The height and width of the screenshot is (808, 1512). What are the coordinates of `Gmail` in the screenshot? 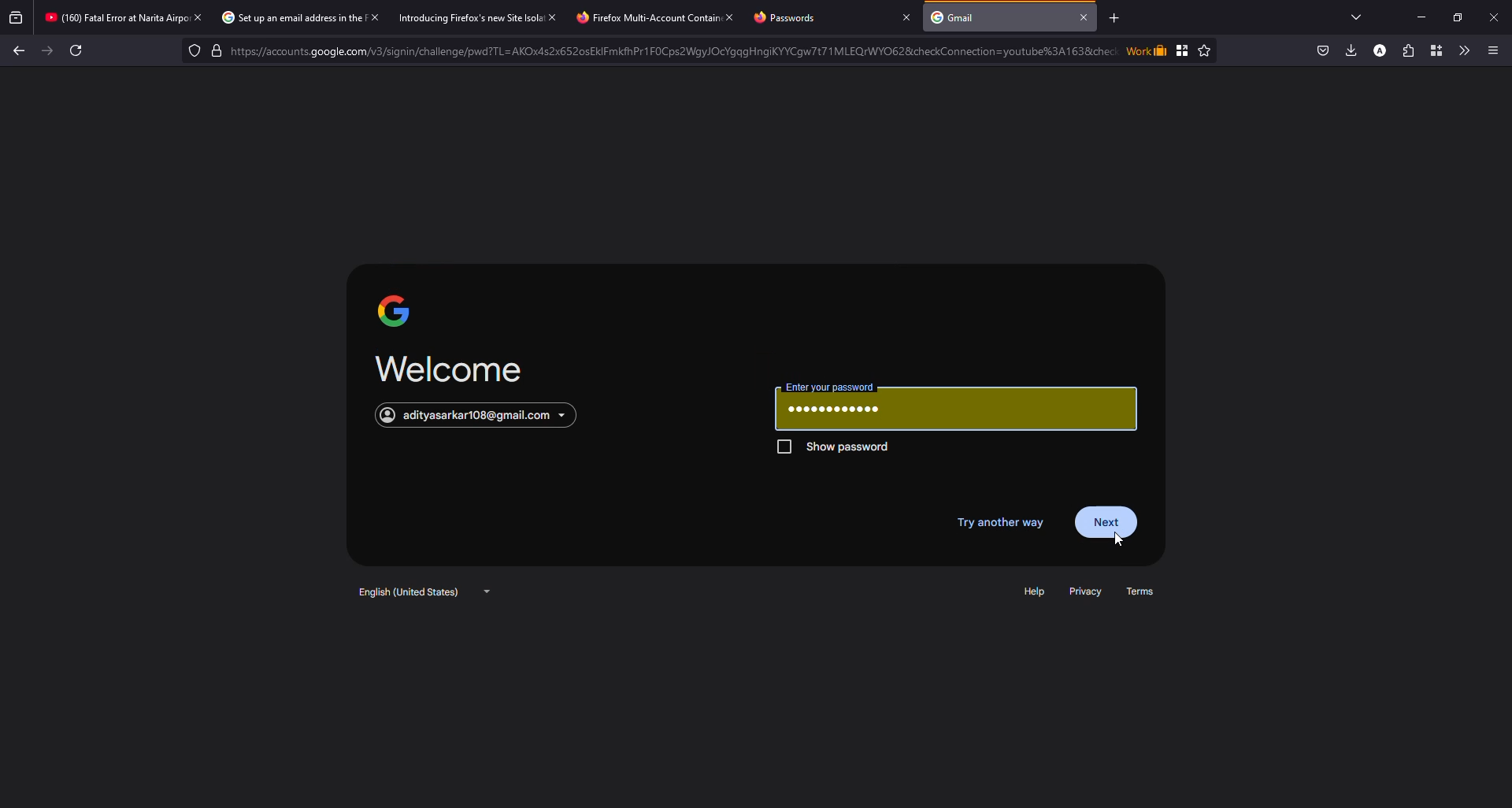 It's located at (956, 17).